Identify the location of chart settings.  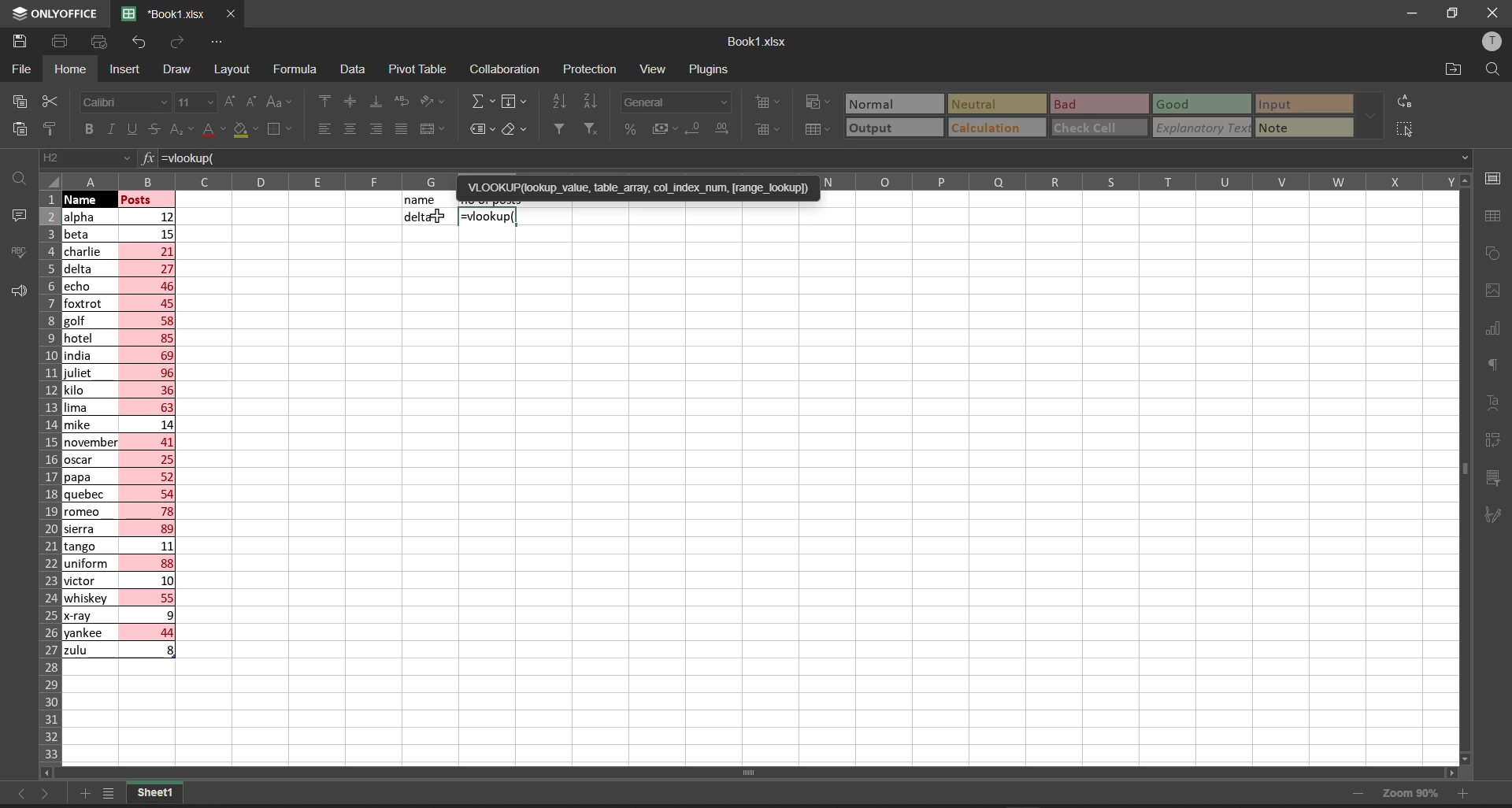
(1499, 329).